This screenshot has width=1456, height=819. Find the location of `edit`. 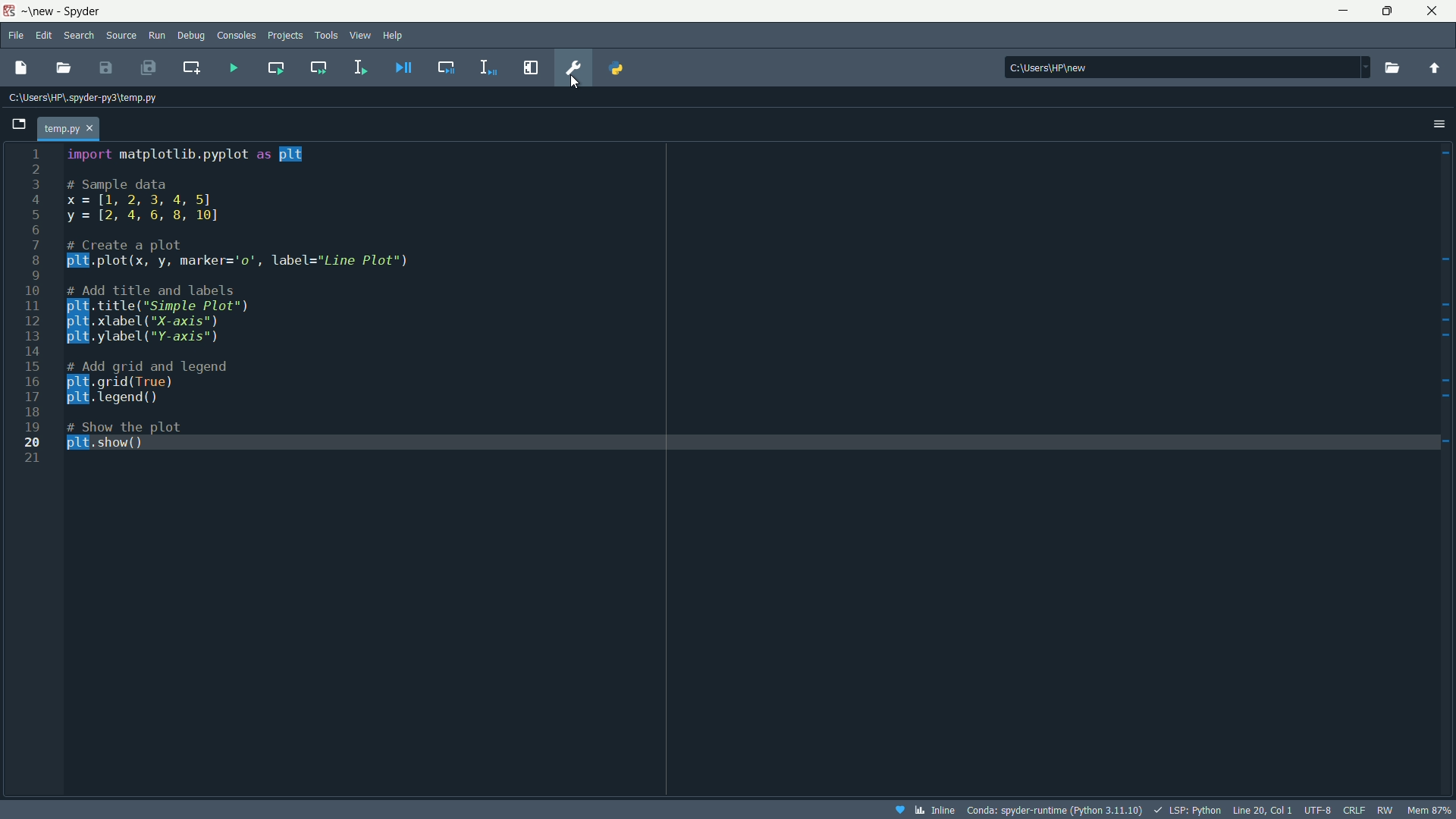

edit is located at coordinates (44, 36).